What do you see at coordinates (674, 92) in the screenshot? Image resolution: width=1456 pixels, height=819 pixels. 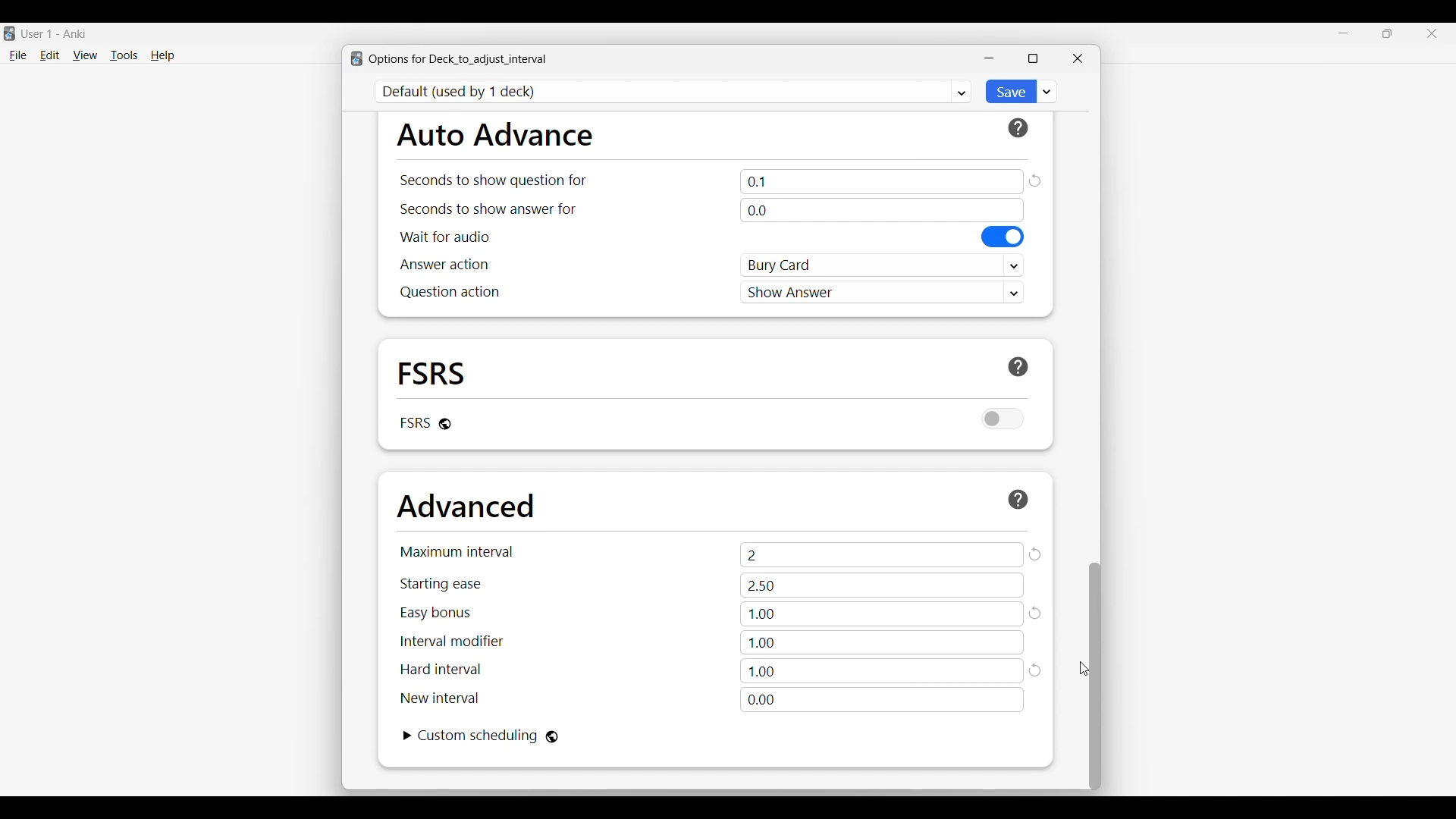 I see `Click to access other decks for settings` at bounding box center [674, 92].